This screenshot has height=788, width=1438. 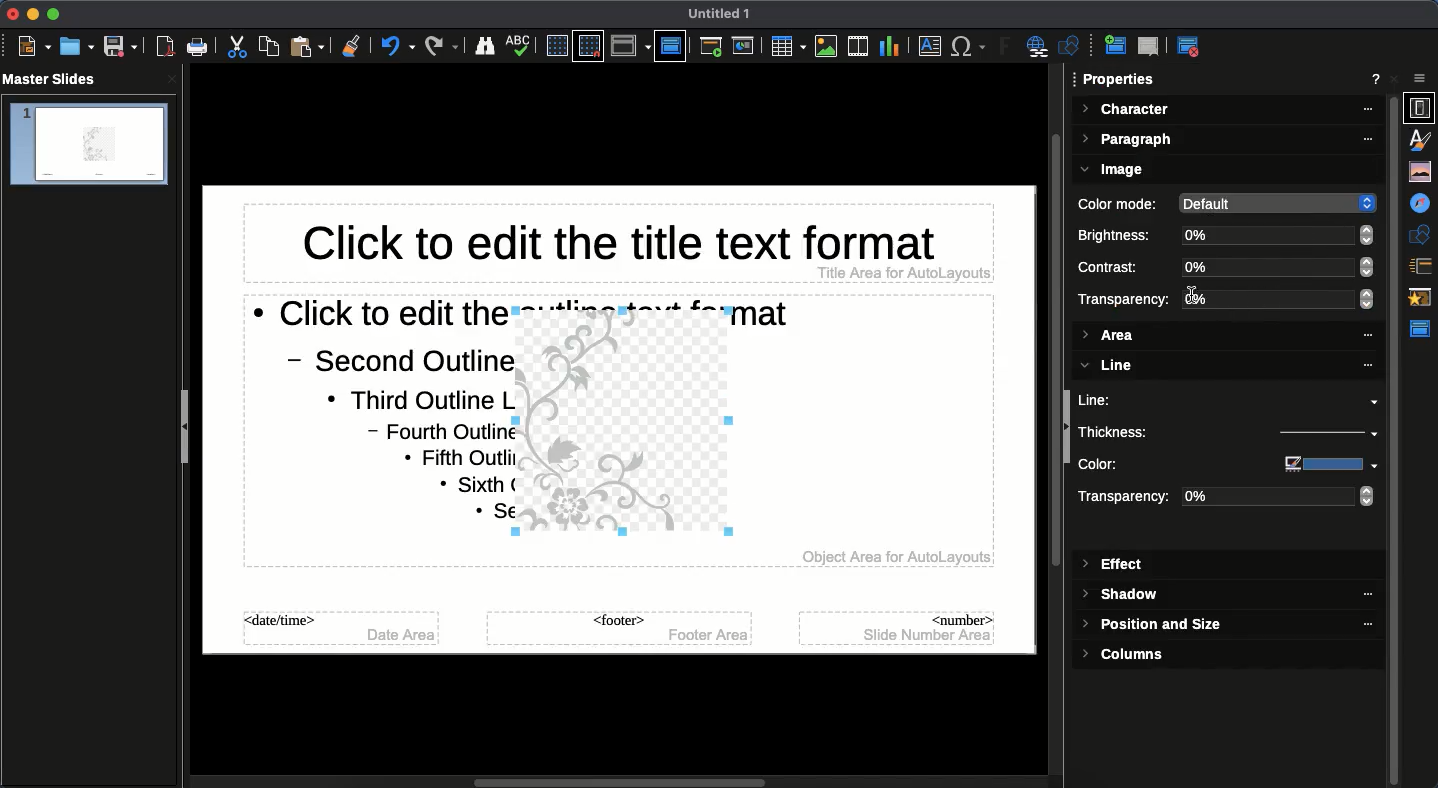 I want to click on Position and size, so click(x=1155, y=627).